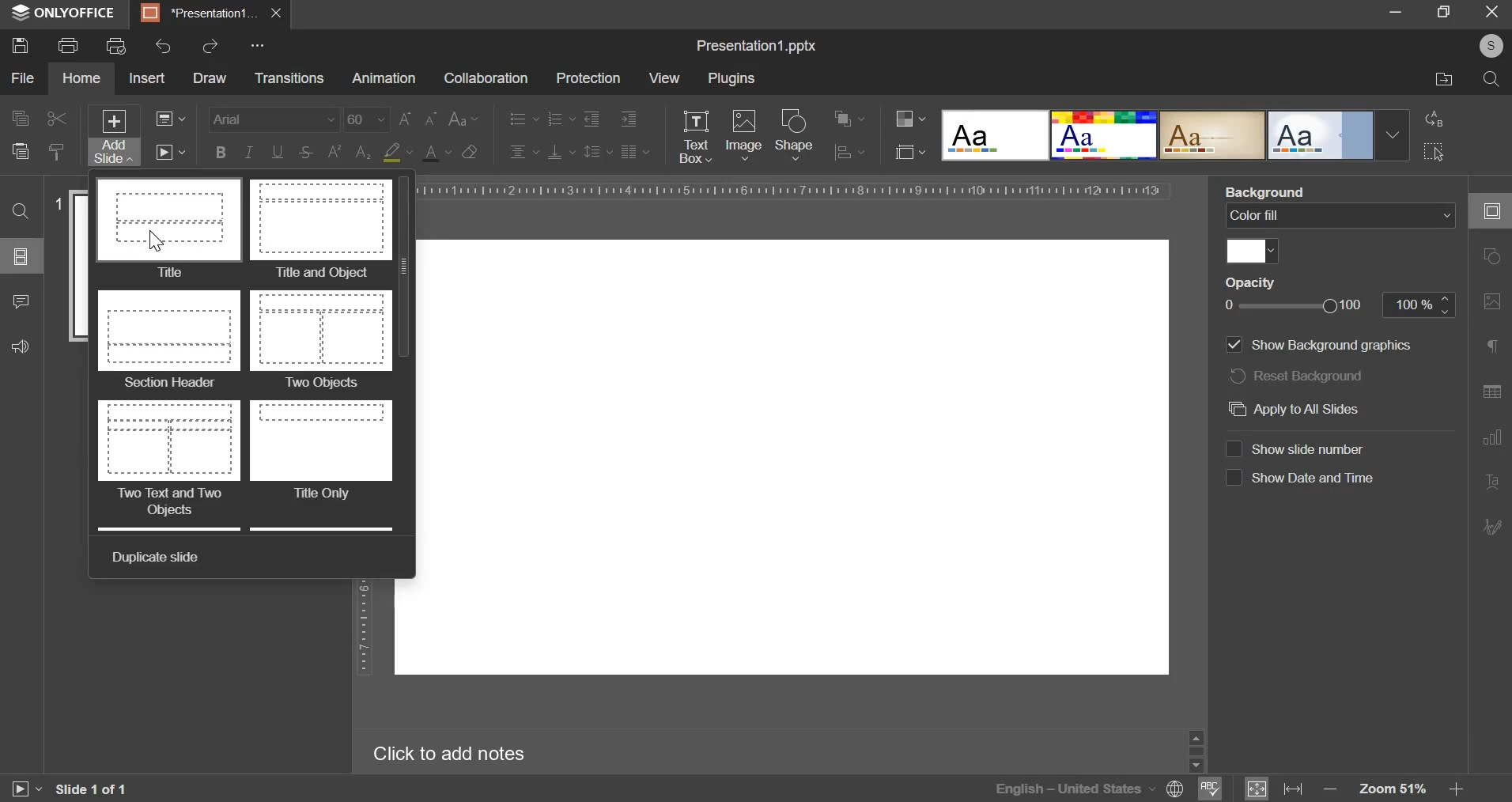 This screenshot has height=802, width=1512. Describe the element at coordinates (146, 77) in the screenshot. I see `insert` at that location.